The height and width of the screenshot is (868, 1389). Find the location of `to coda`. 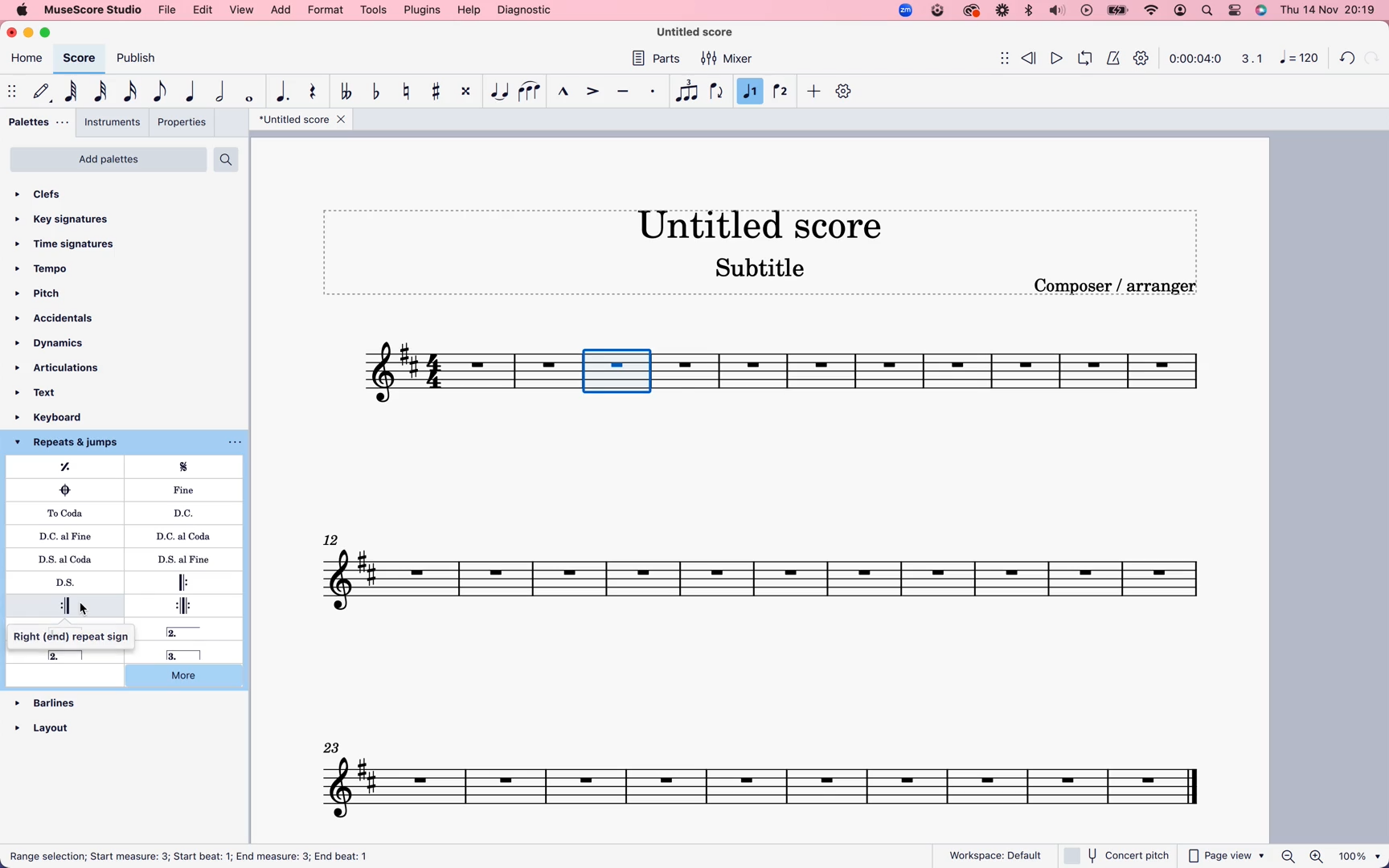

to coda is located at coordinates (68, 513).